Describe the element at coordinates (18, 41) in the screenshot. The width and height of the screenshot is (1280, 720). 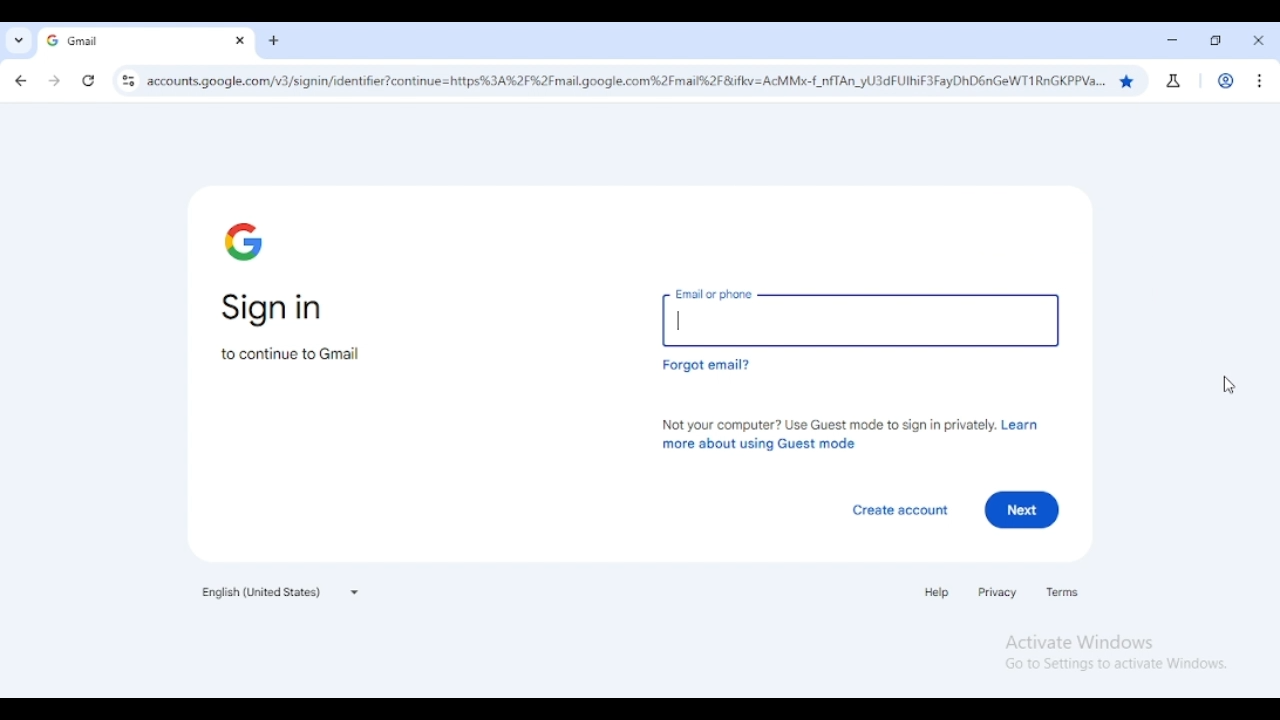
I see `search tabs` at that location.